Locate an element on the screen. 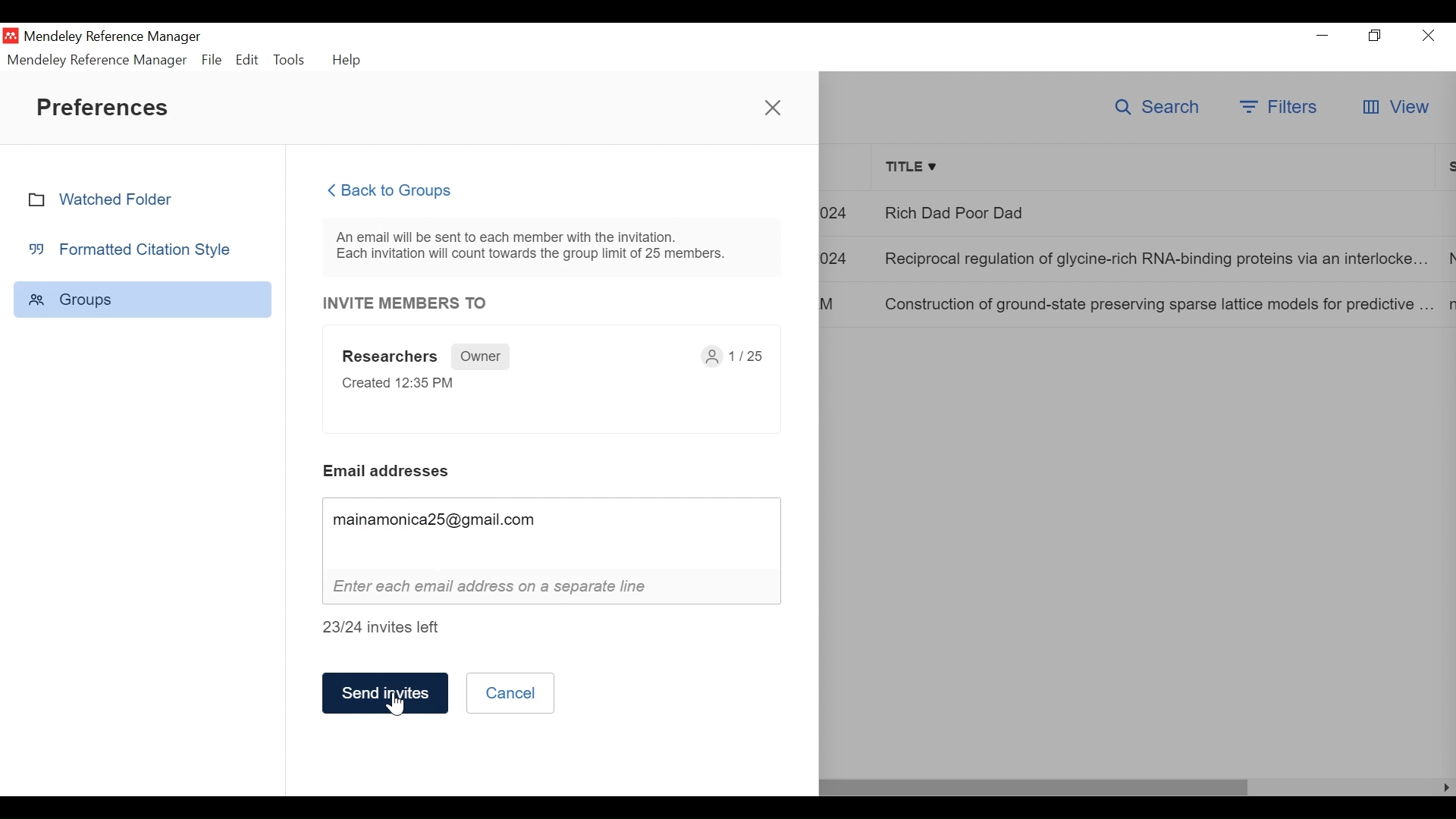 Image resolution: width=1456 pixels, height=819 pixels. Close is located at coordinates (1429, 35).